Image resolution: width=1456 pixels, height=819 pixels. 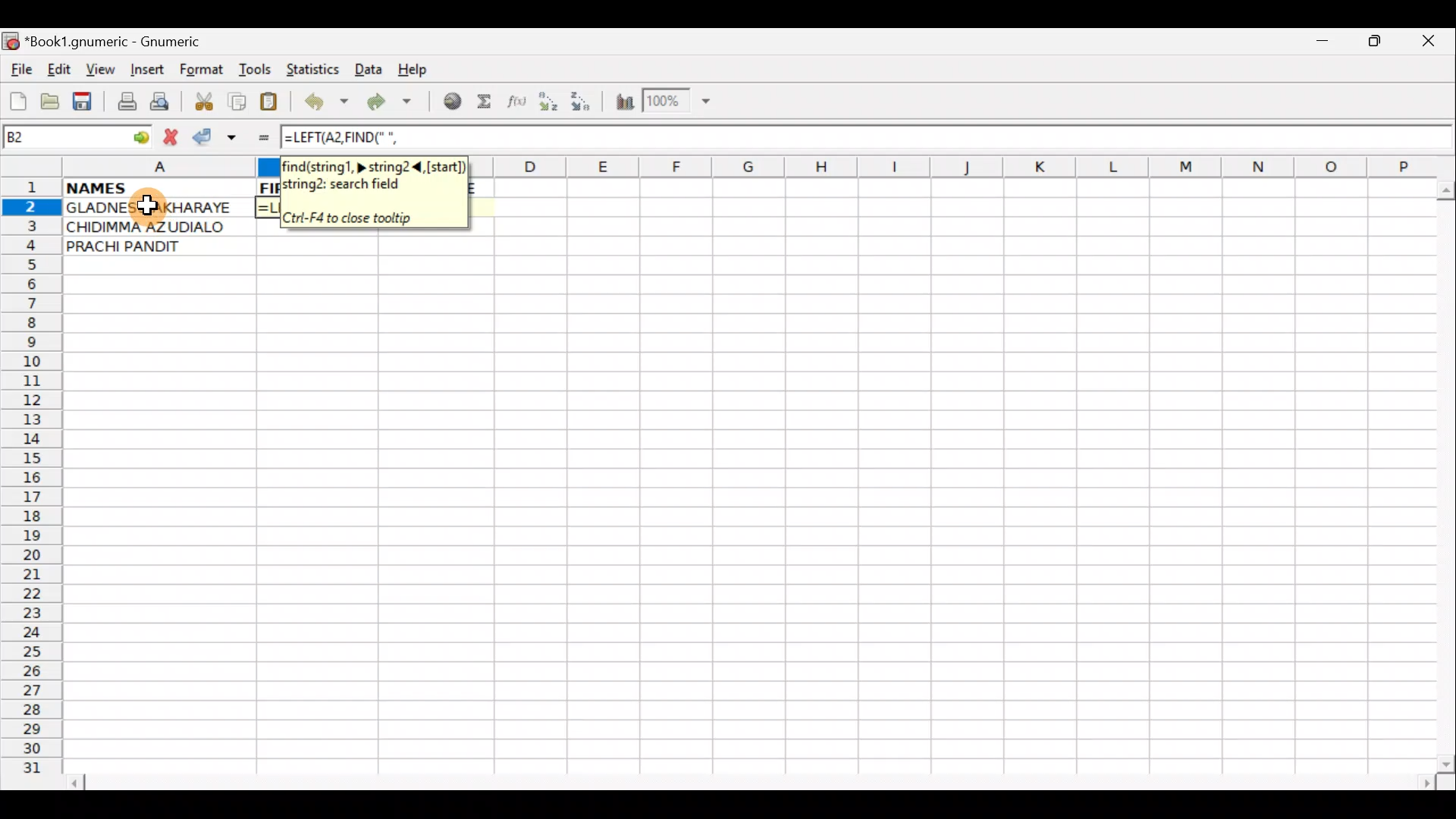 I want to click on PRACHI PANDIT, so click(x=147, y=247).